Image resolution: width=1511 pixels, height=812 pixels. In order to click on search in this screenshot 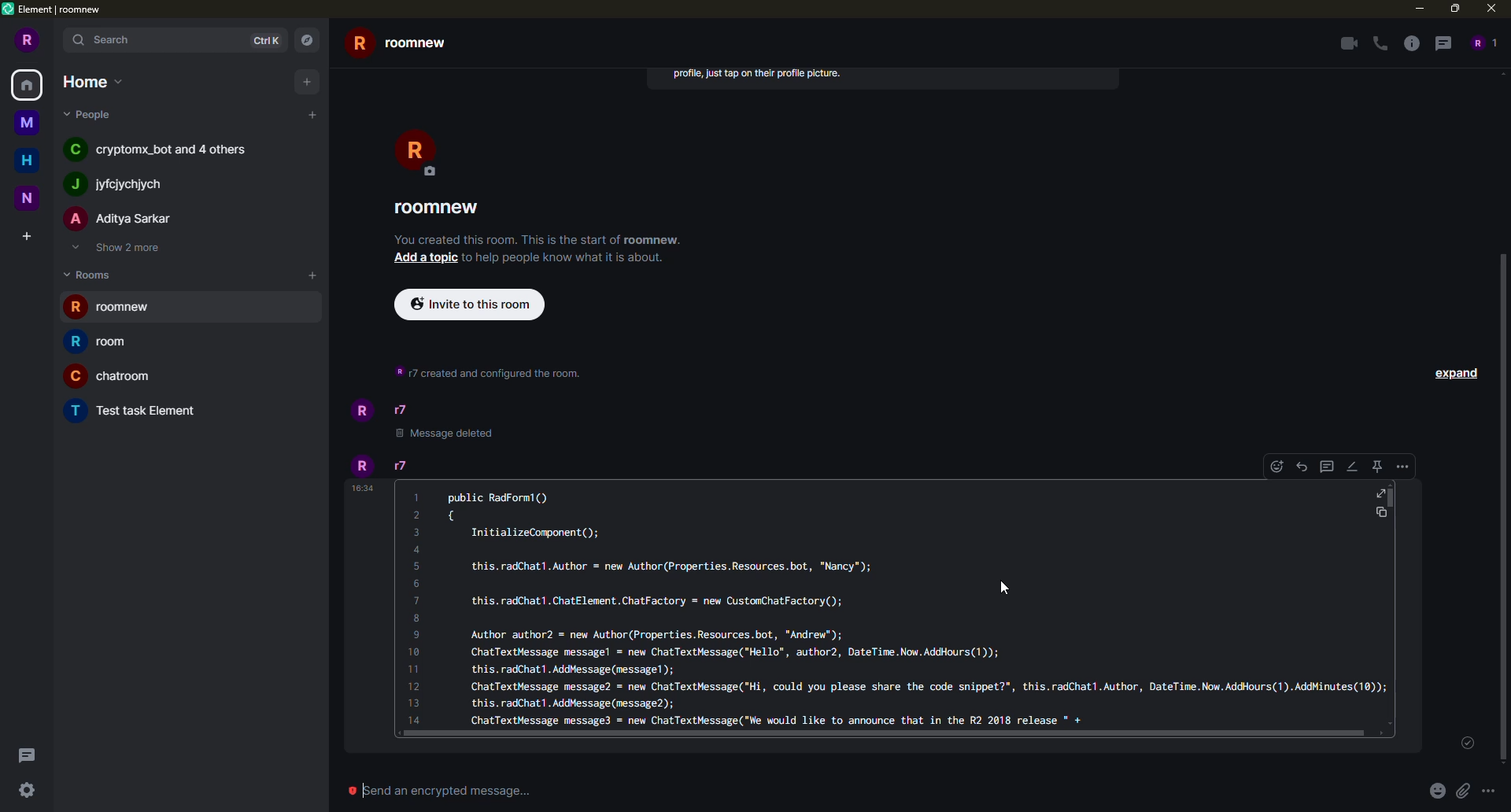, I will do `click(114, 42)`.